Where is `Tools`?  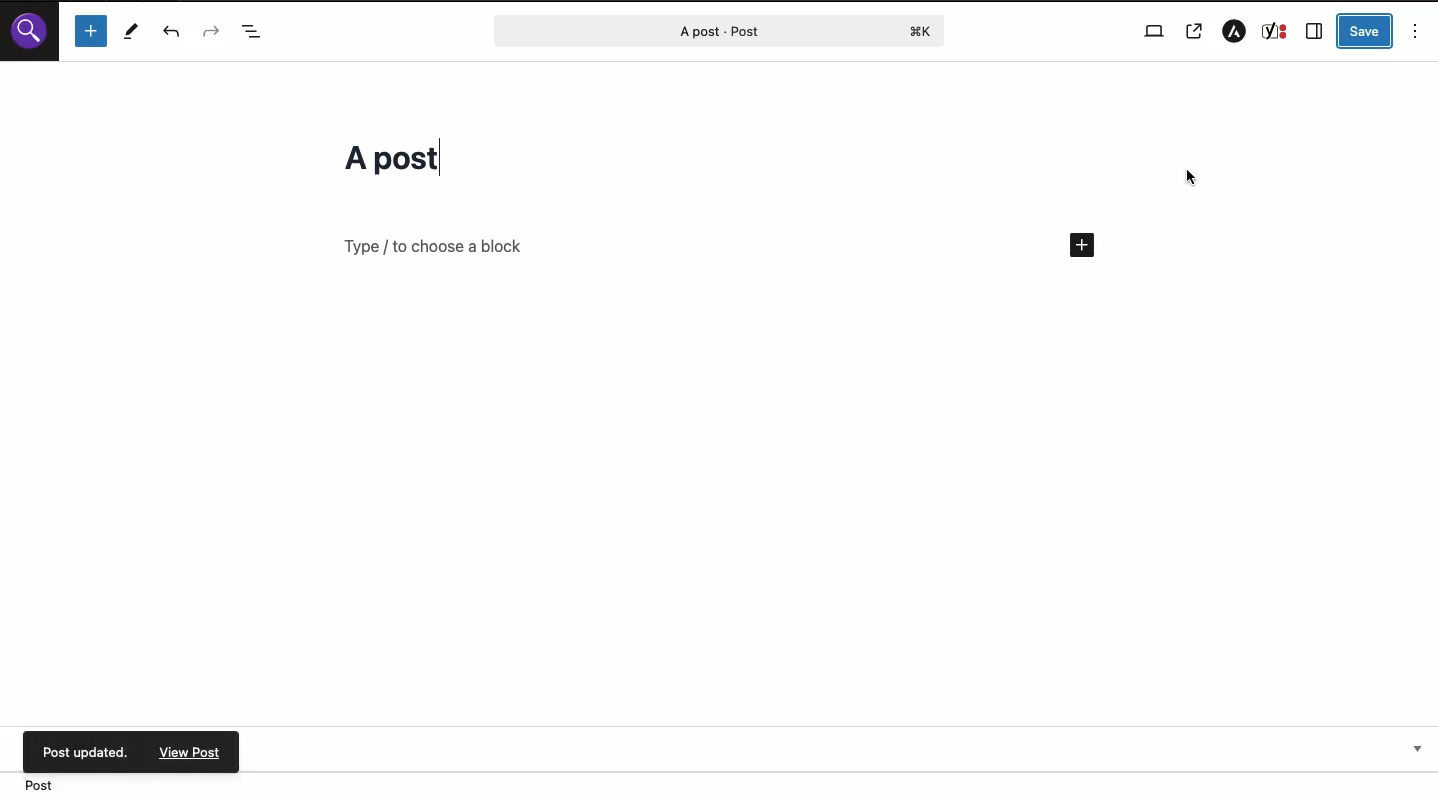
Tools is located at coordinates (133, 31).